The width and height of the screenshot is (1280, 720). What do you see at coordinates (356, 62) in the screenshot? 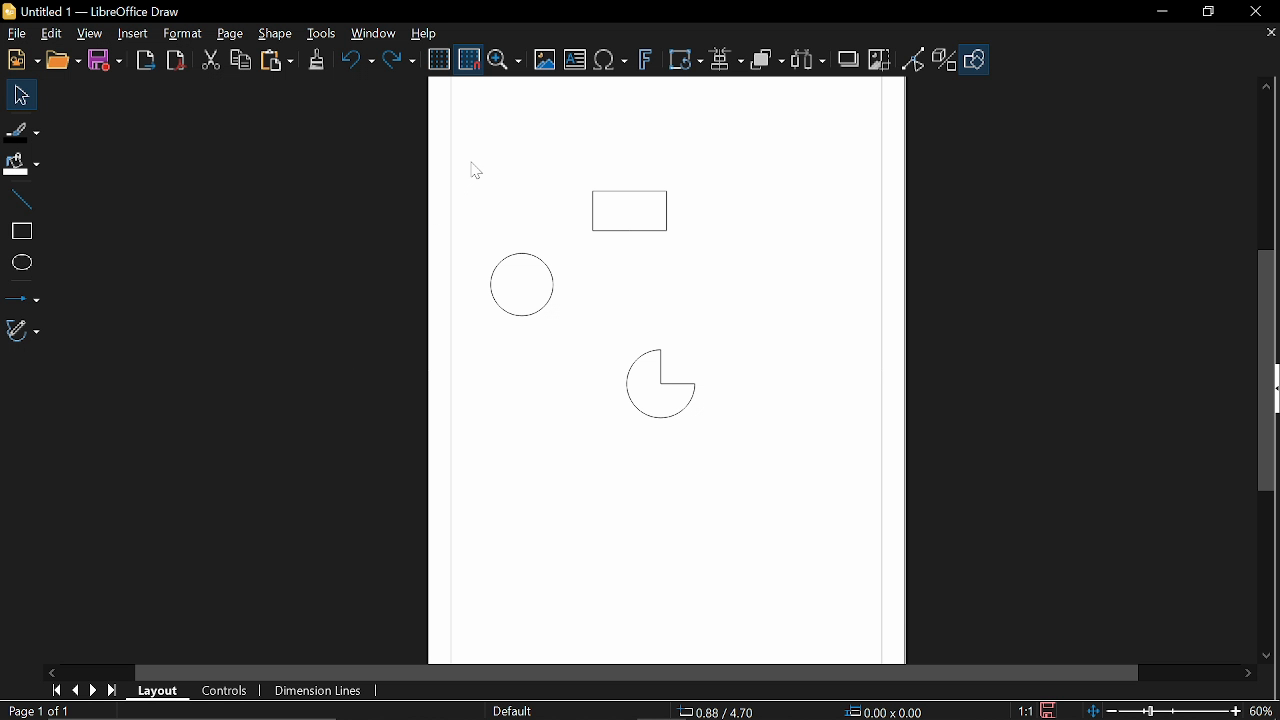
I see `Undo` at bounding box center [356, 62].